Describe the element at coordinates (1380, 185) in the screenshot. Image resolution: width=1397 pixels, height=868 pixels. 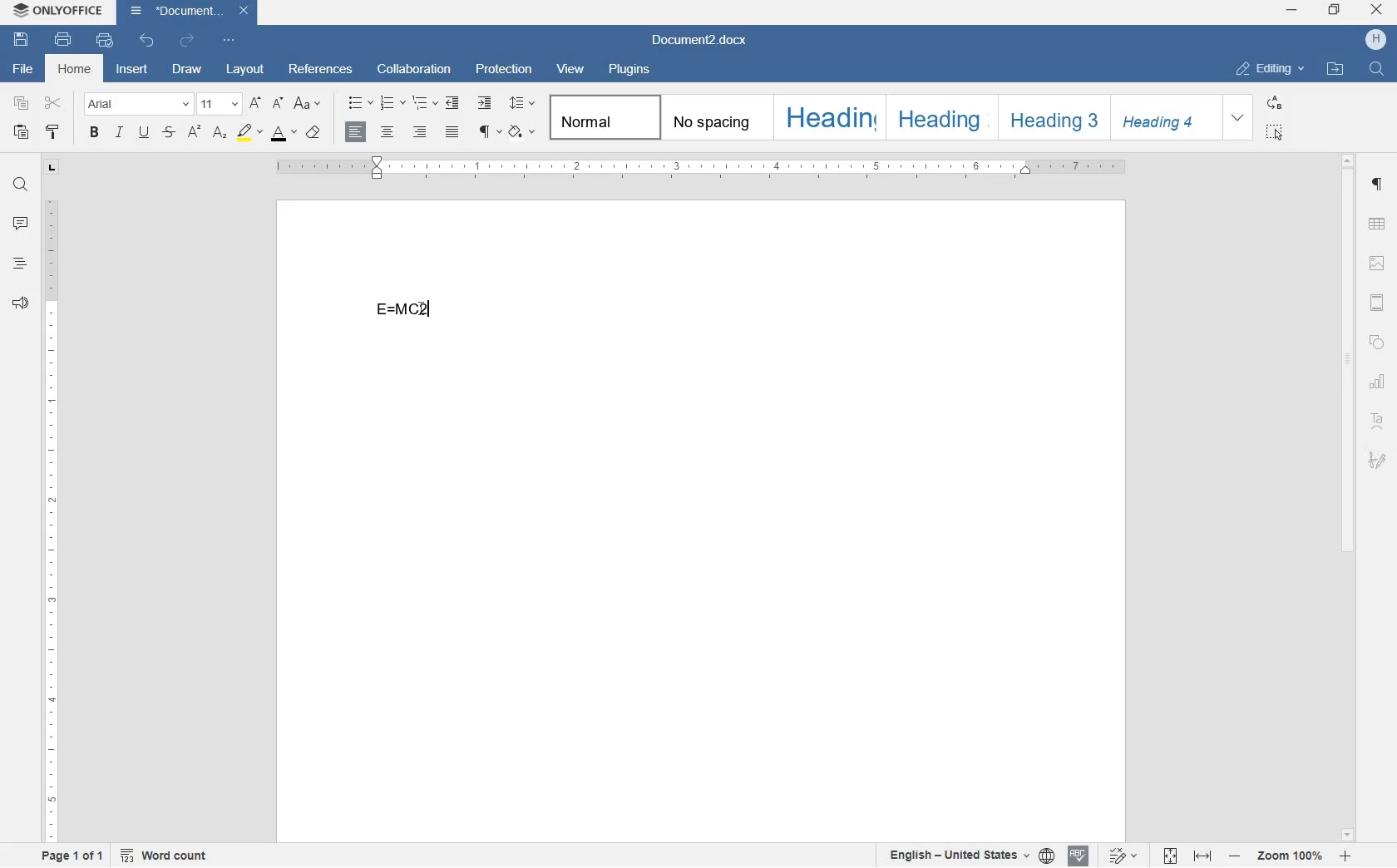
I see `paragraph settings` at that location.